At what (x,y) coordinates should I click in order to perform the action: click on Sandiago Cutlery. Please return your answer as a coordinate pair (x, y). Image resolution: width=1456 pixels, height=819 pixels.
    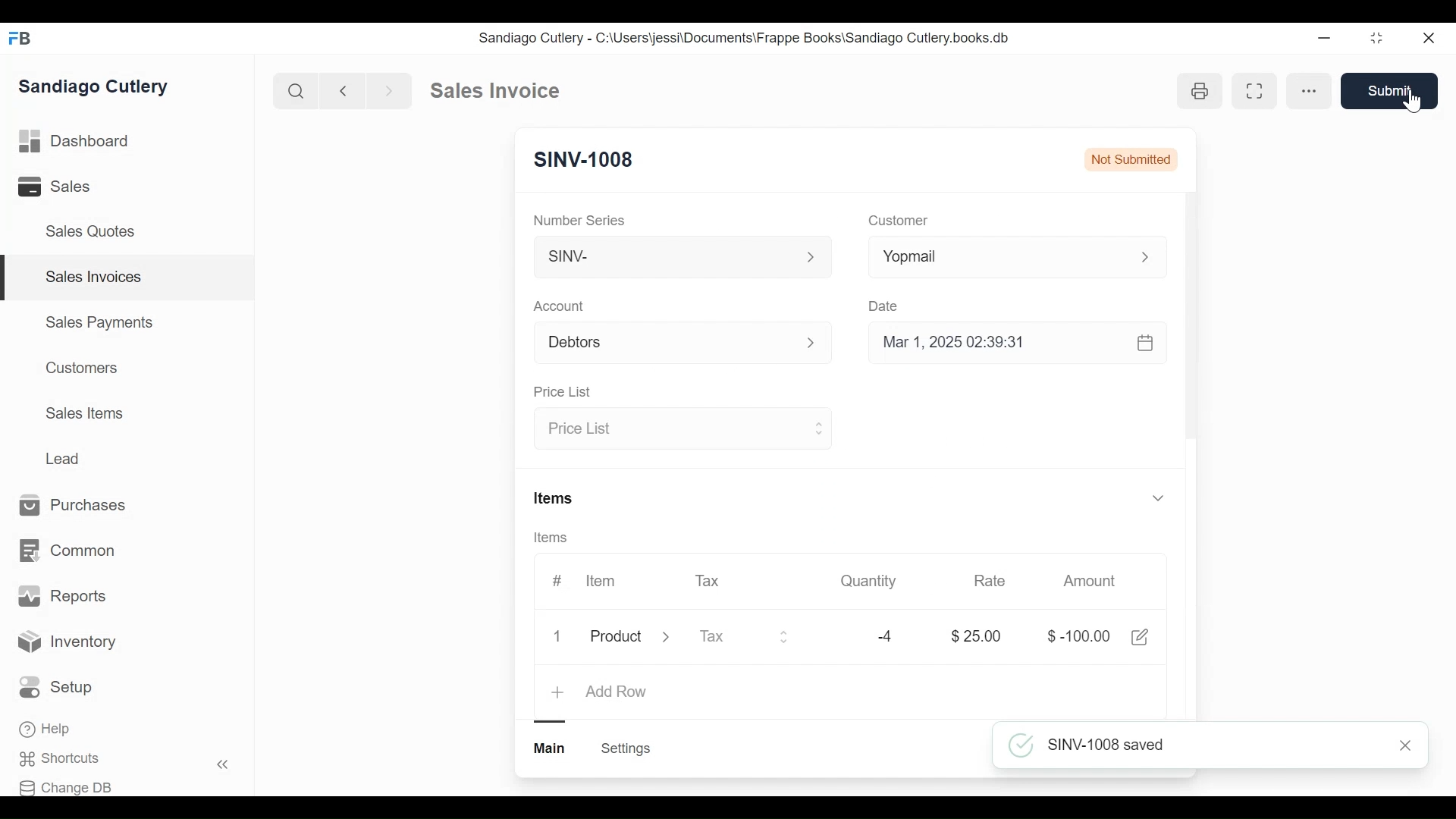
    Looking at the image, I should click on (94, 85).